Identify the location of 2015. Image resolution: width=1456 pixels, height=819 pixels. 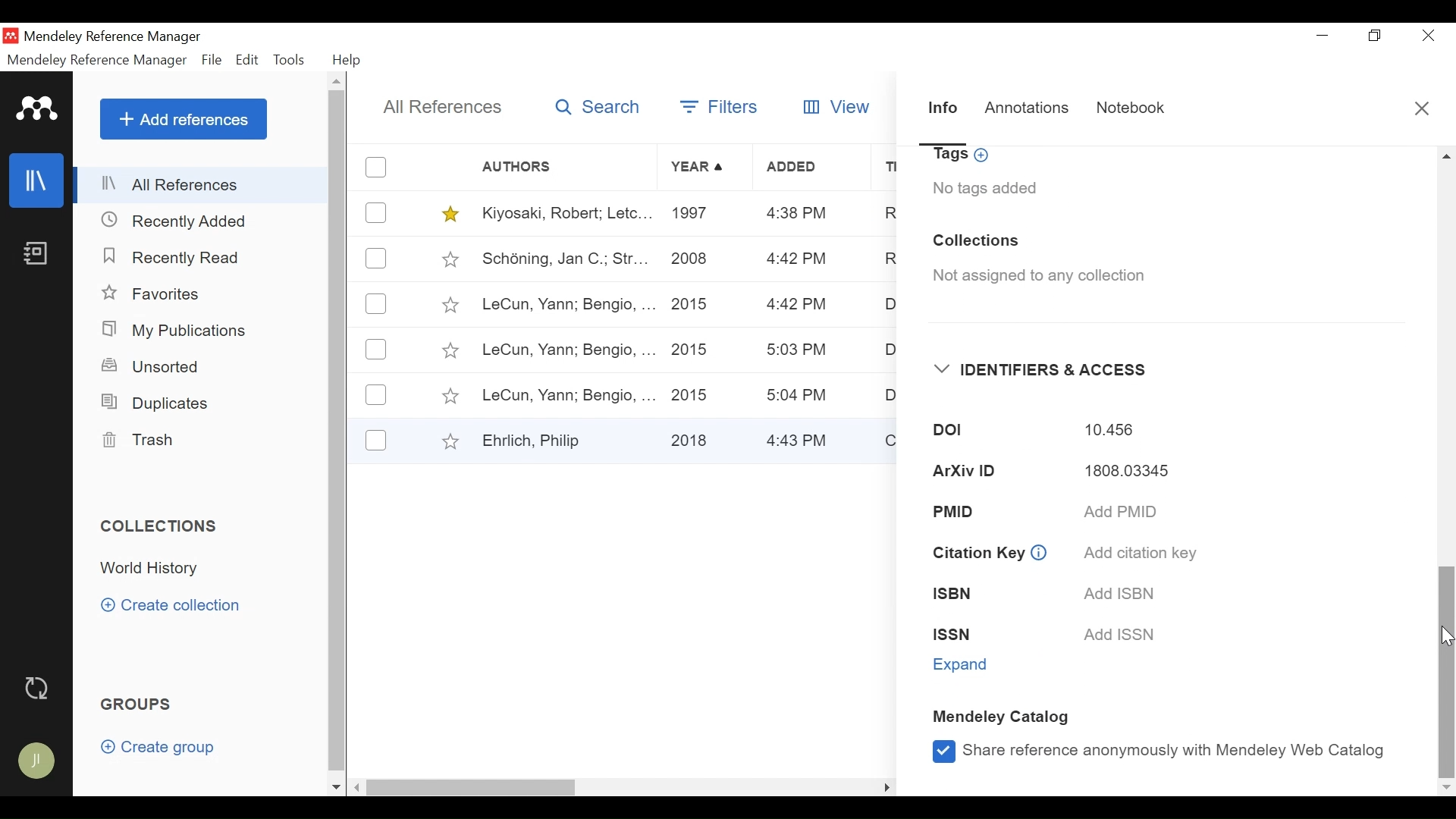
(693, 350).